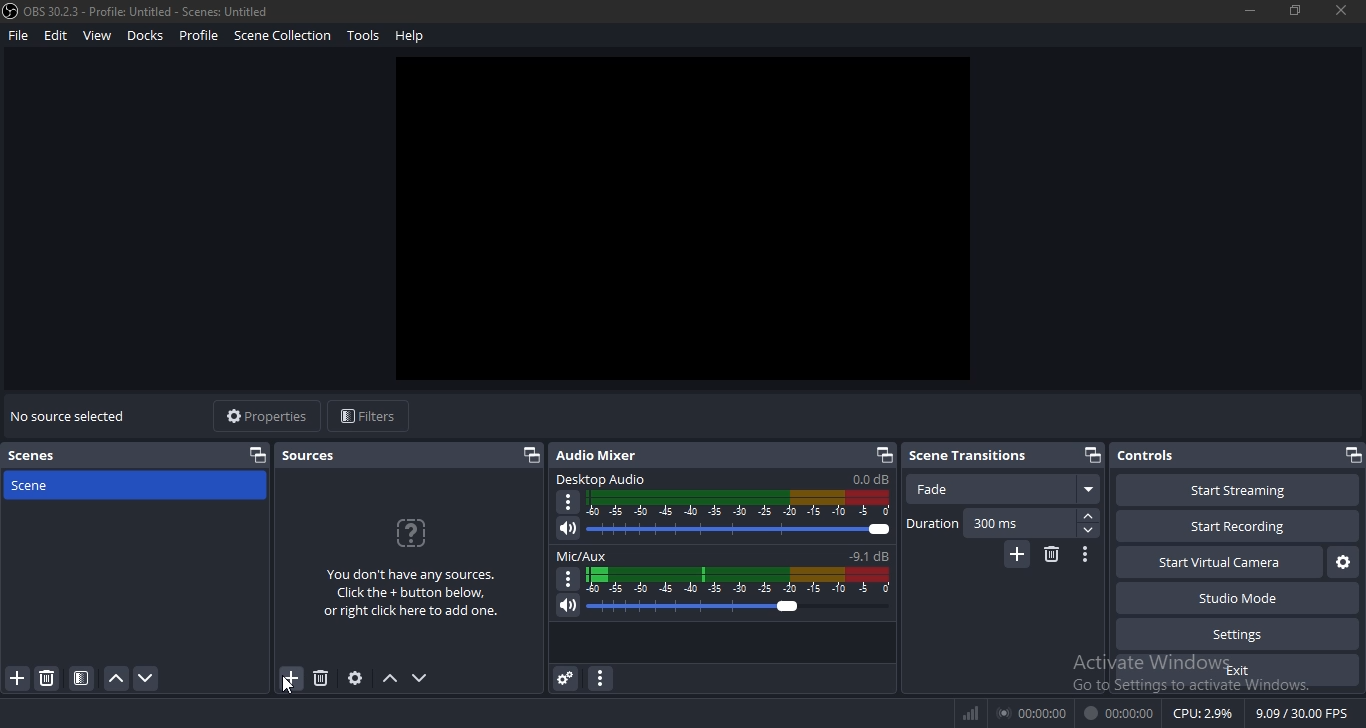 The width and height of the screenshot is (1366, 728). Describe the element at coordinates (148, 36) in the screenshot. I see `docks` at that location.